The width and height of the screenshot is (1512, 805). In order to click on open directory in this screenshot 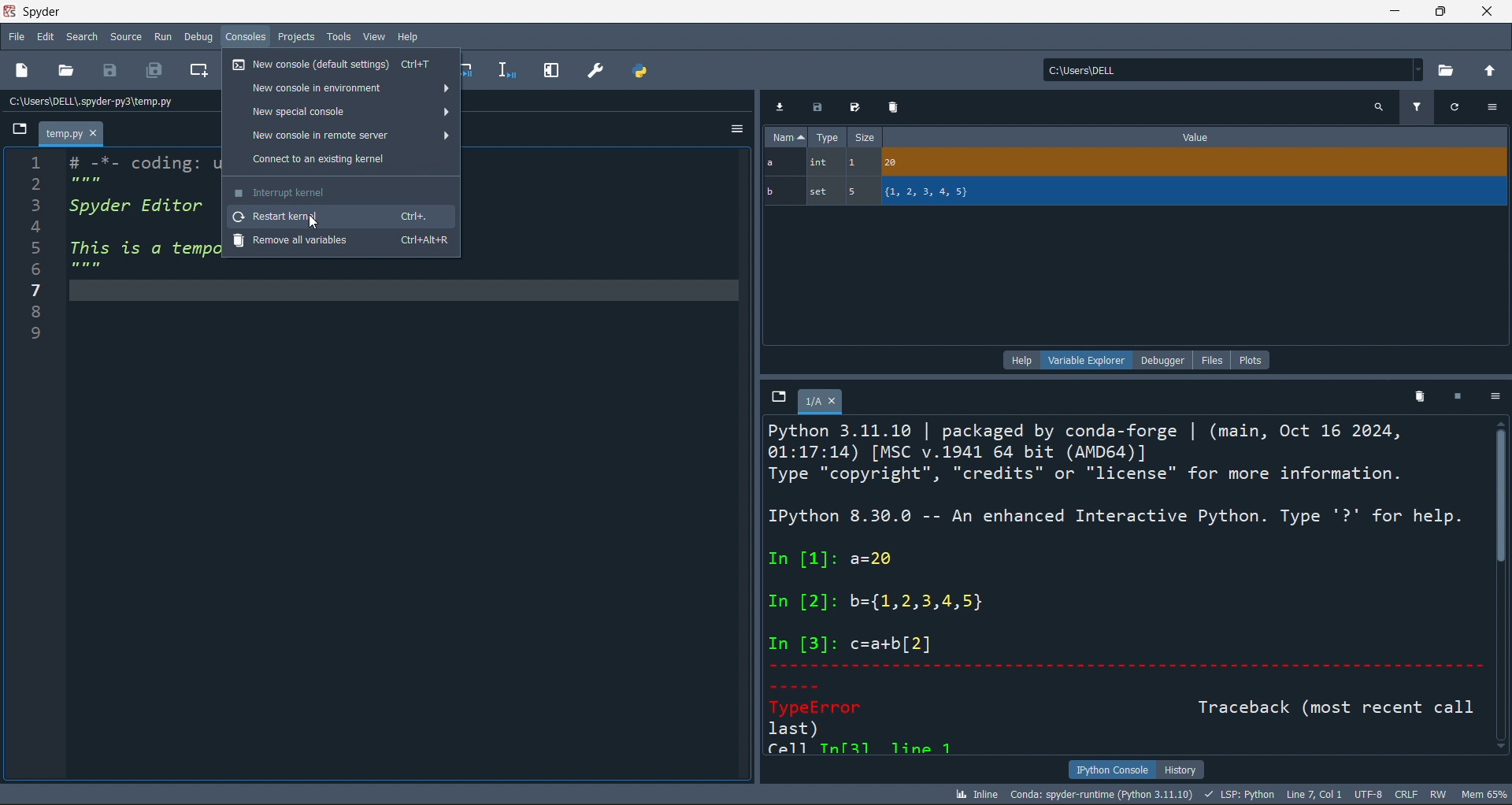, I will do `click(1450, 72)`.